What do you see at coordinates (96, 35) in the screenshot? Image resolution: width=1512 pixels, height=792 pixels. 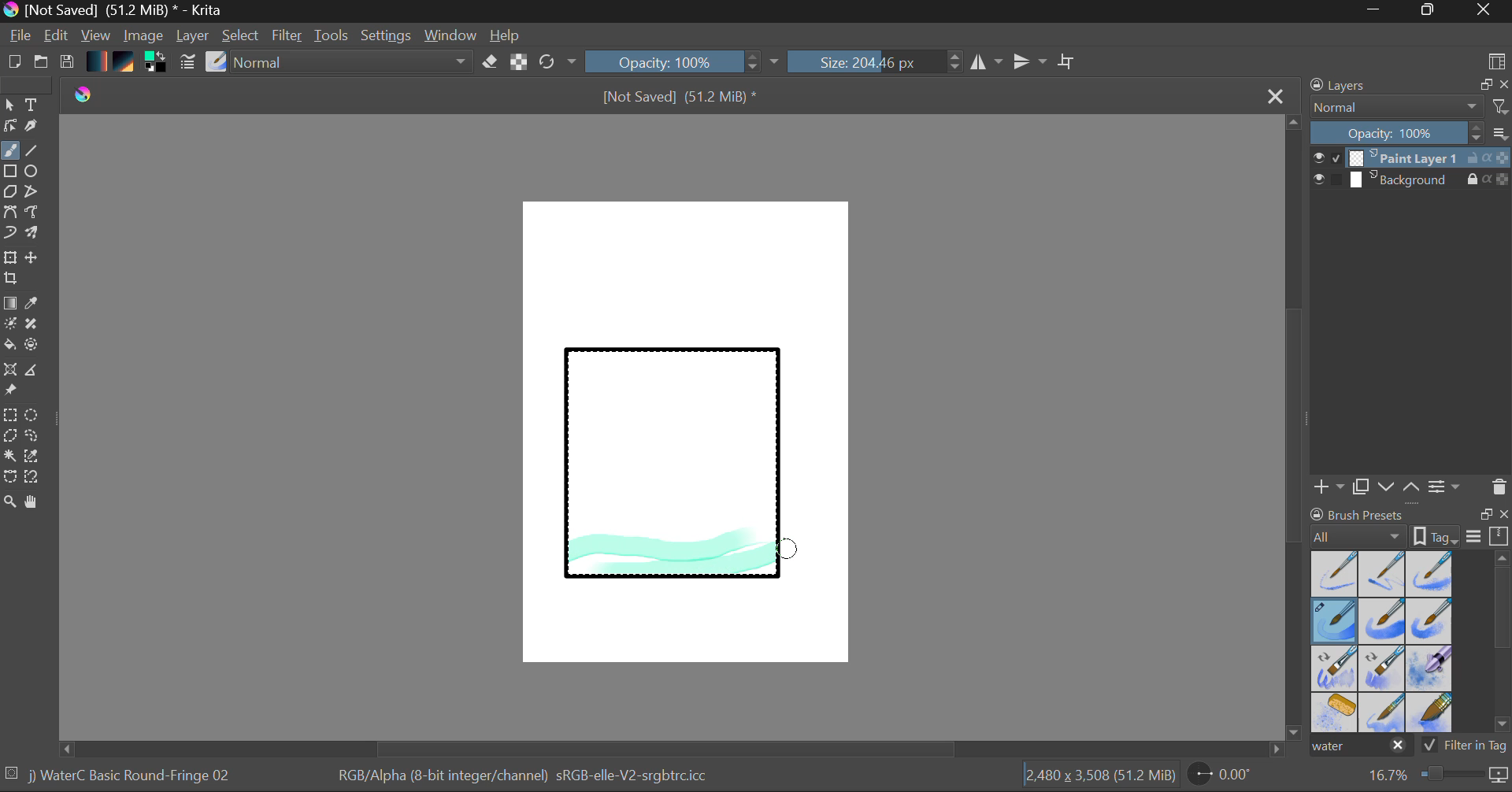 I see `View` at bounding box center [96, 35].